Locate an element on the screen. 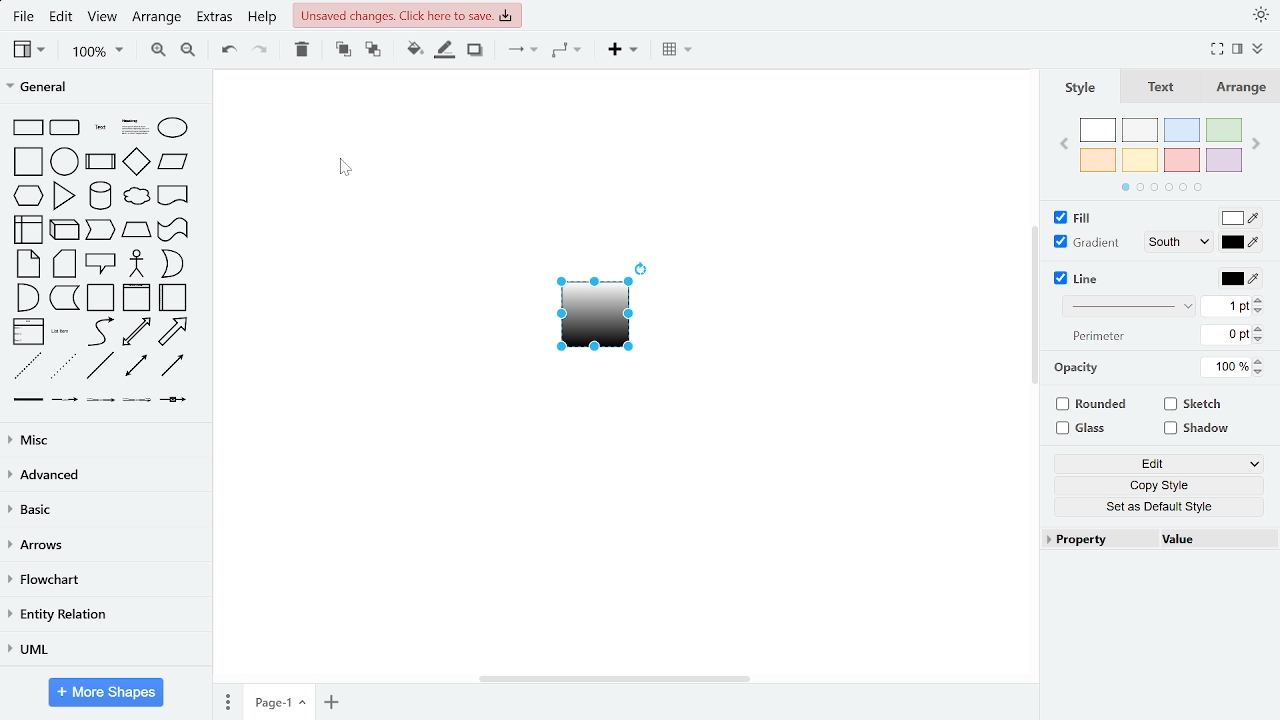  basic is located at coordinates (103, 510).